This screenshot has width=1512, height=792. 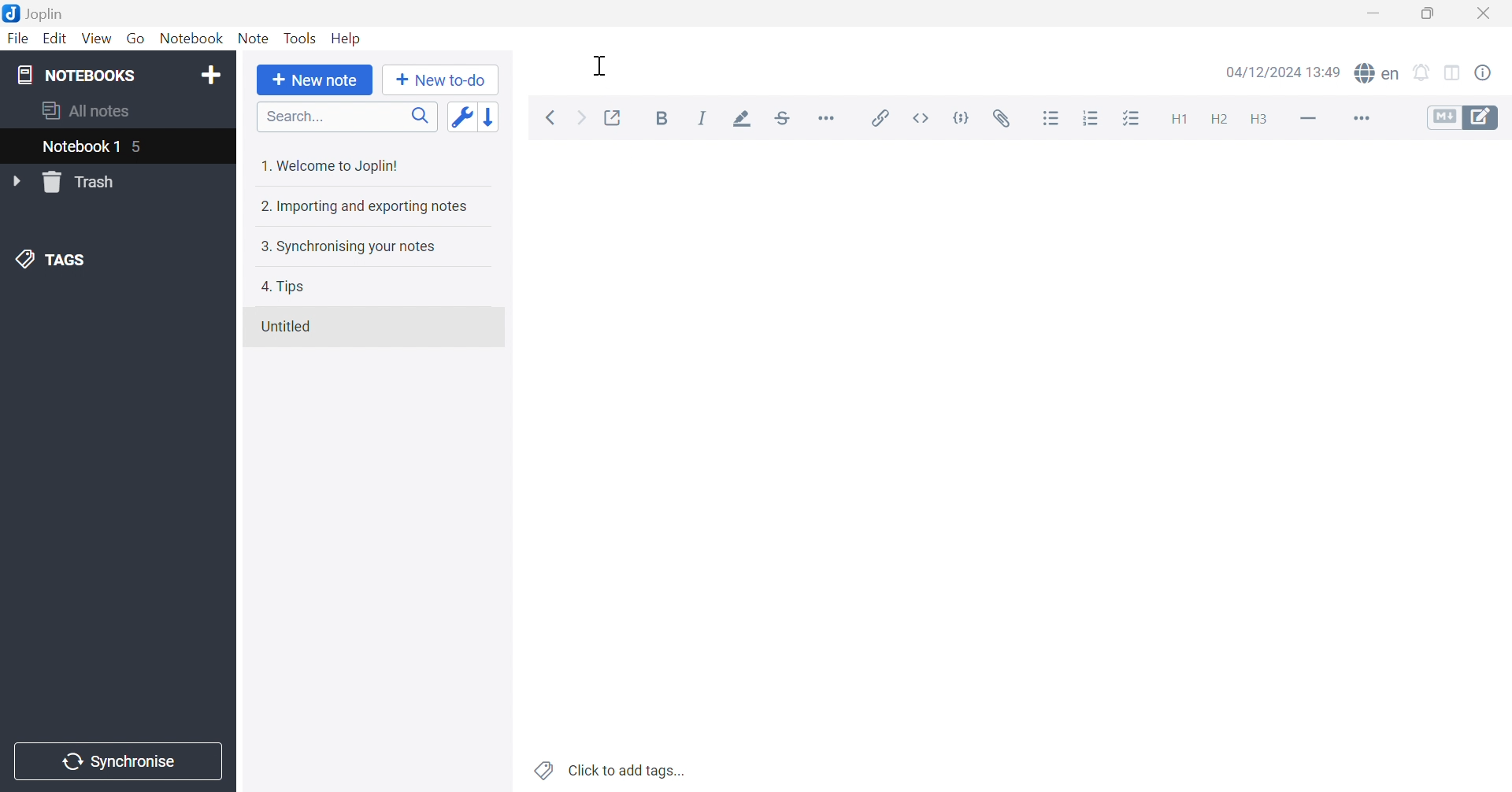 I want to click on spell checker, so click(x=1381, y=74).